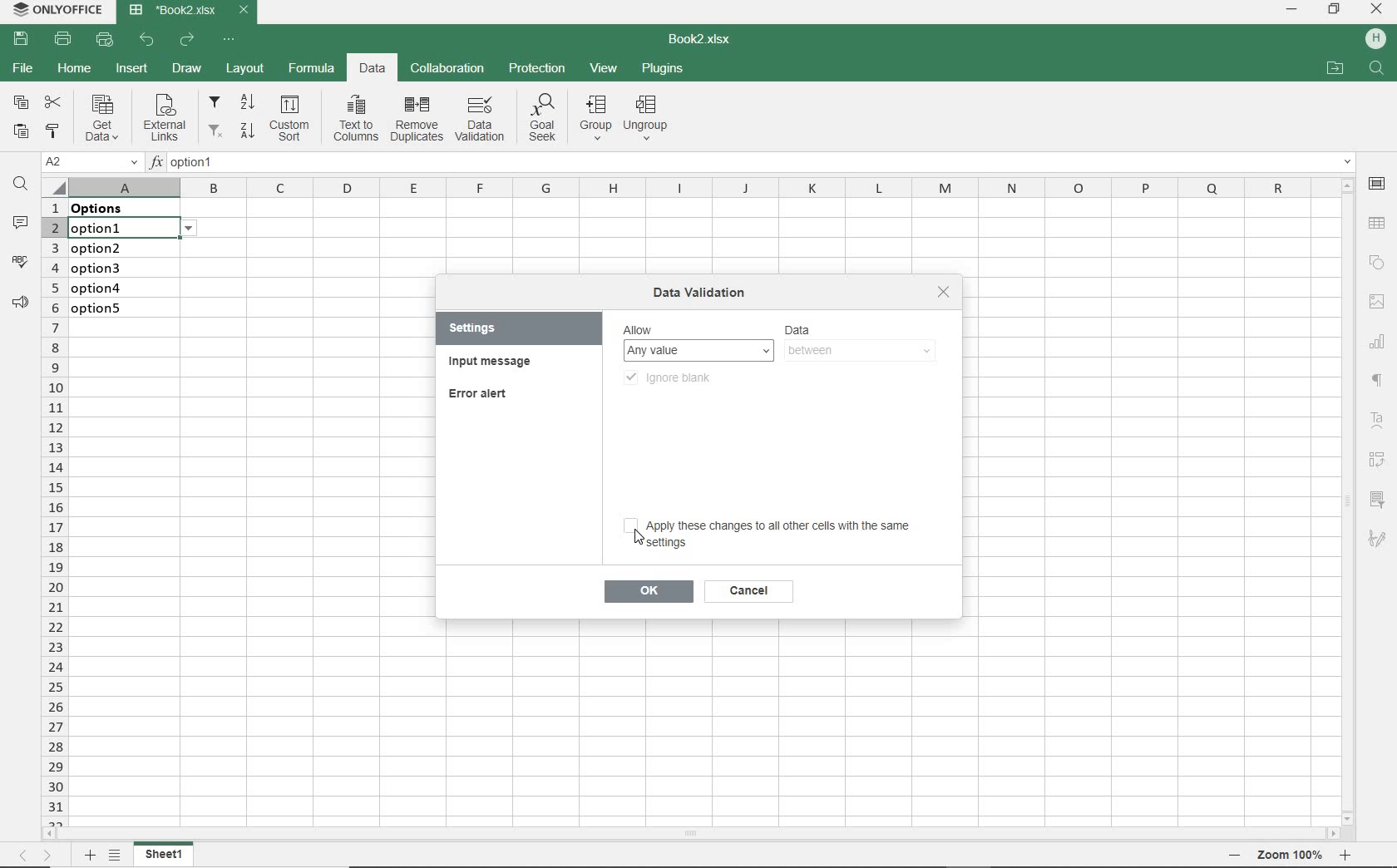 The width and height of the screenshot is (1397, 868). What do you see at coordinates (54, 185) in the screenshot?
I see `Select all` at bounding box center [54, 185].